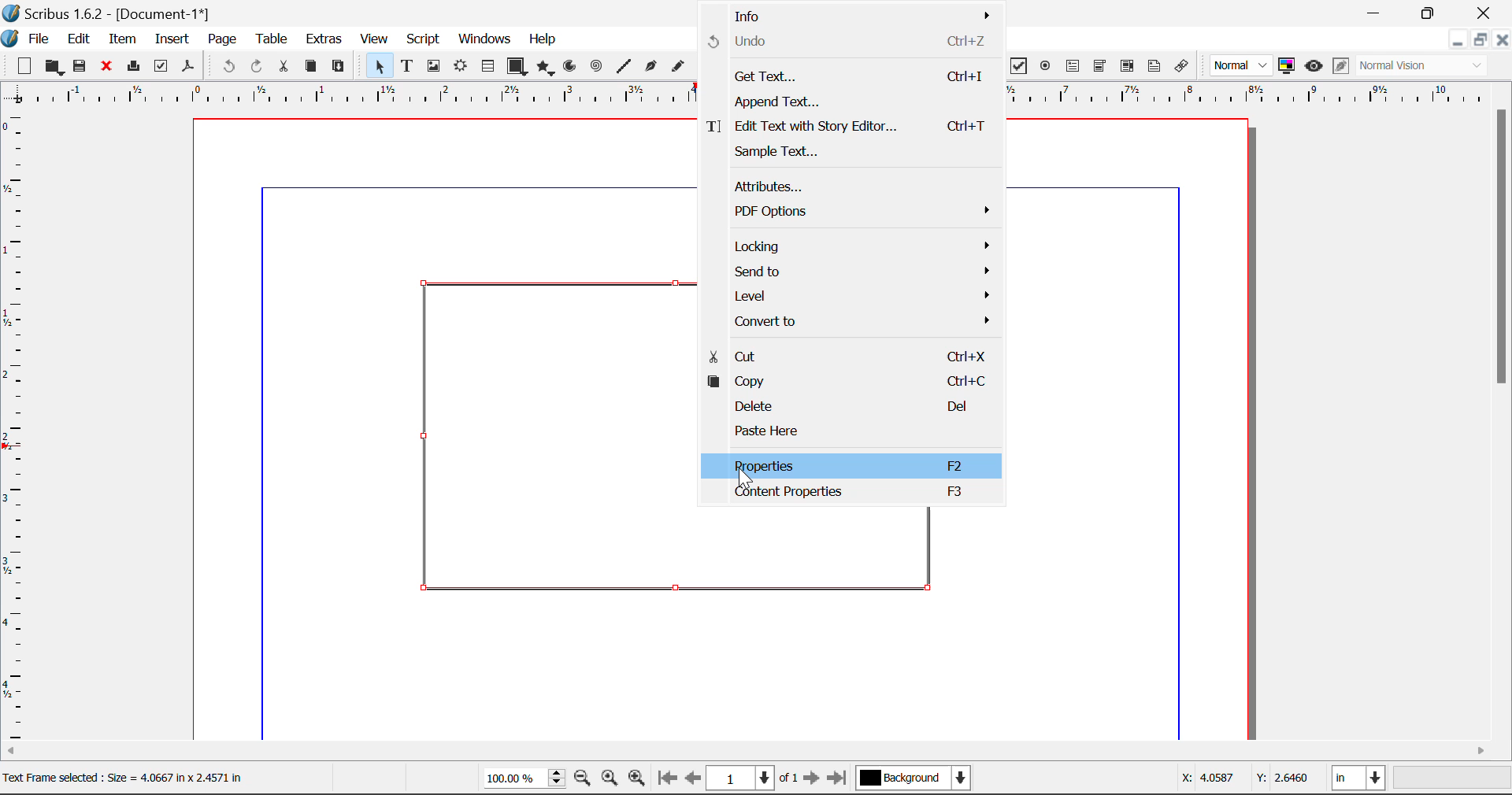 The height and width of the screenshot is (795, 1512). Describe the element at coordinates (460, 67) in the screenshot. I see `Render Frame` at that location.